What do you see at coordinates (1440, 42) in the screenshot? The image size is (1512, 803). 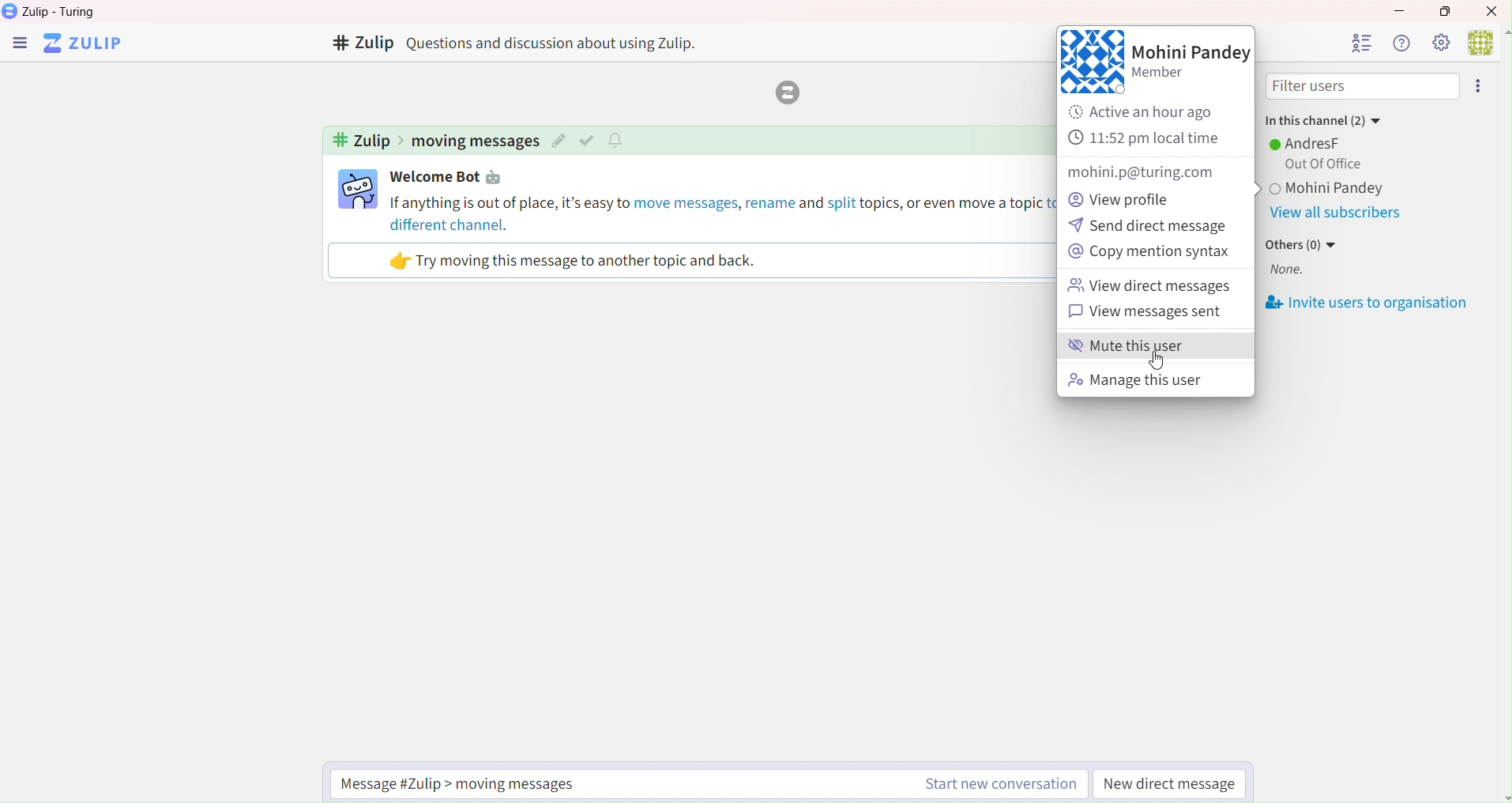 I see `Settings` at bounding box center [1440, 42].